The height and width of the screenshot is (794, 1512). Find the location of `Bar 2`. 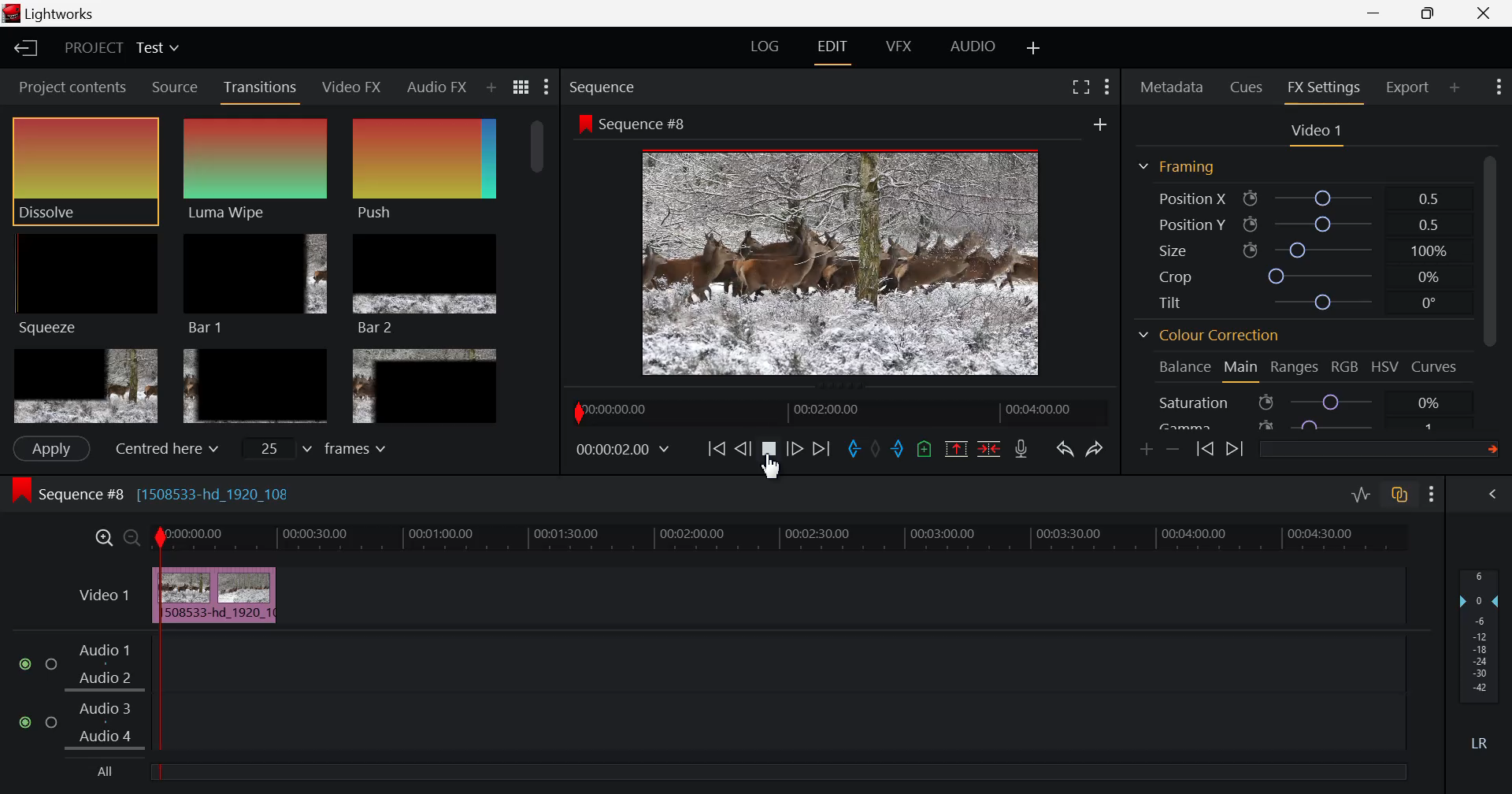

Bar 2 is located at coordinates (426, 284).